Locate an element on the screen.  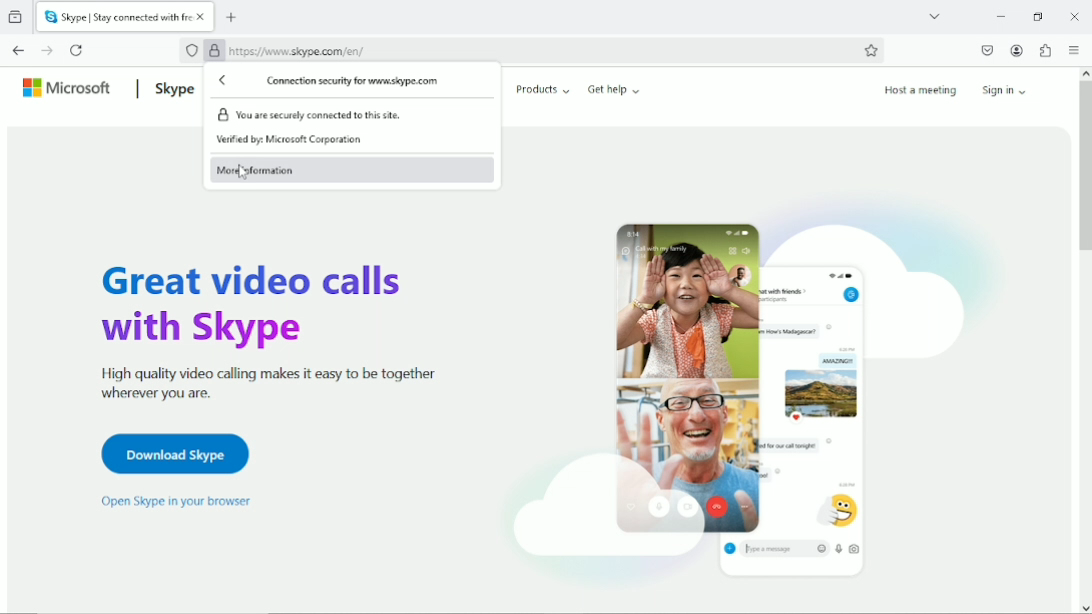
Microsoft is located at coordinates (68, 87).